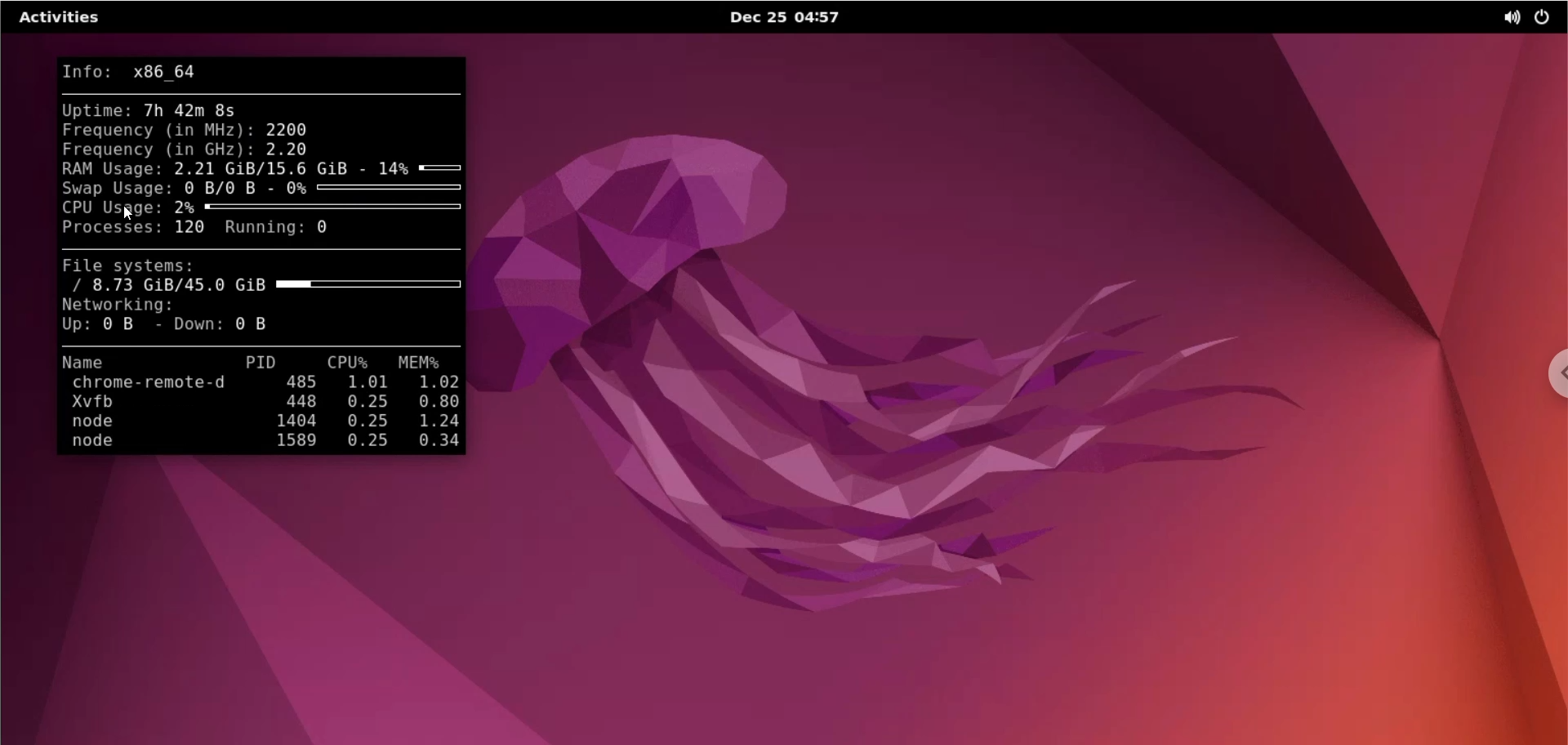 Image resolution: width=1568 pixels, height=745 pixels. Describe the element at coordinates (228, 188) in the screenshot. I see `0 B/0 B` at that location.